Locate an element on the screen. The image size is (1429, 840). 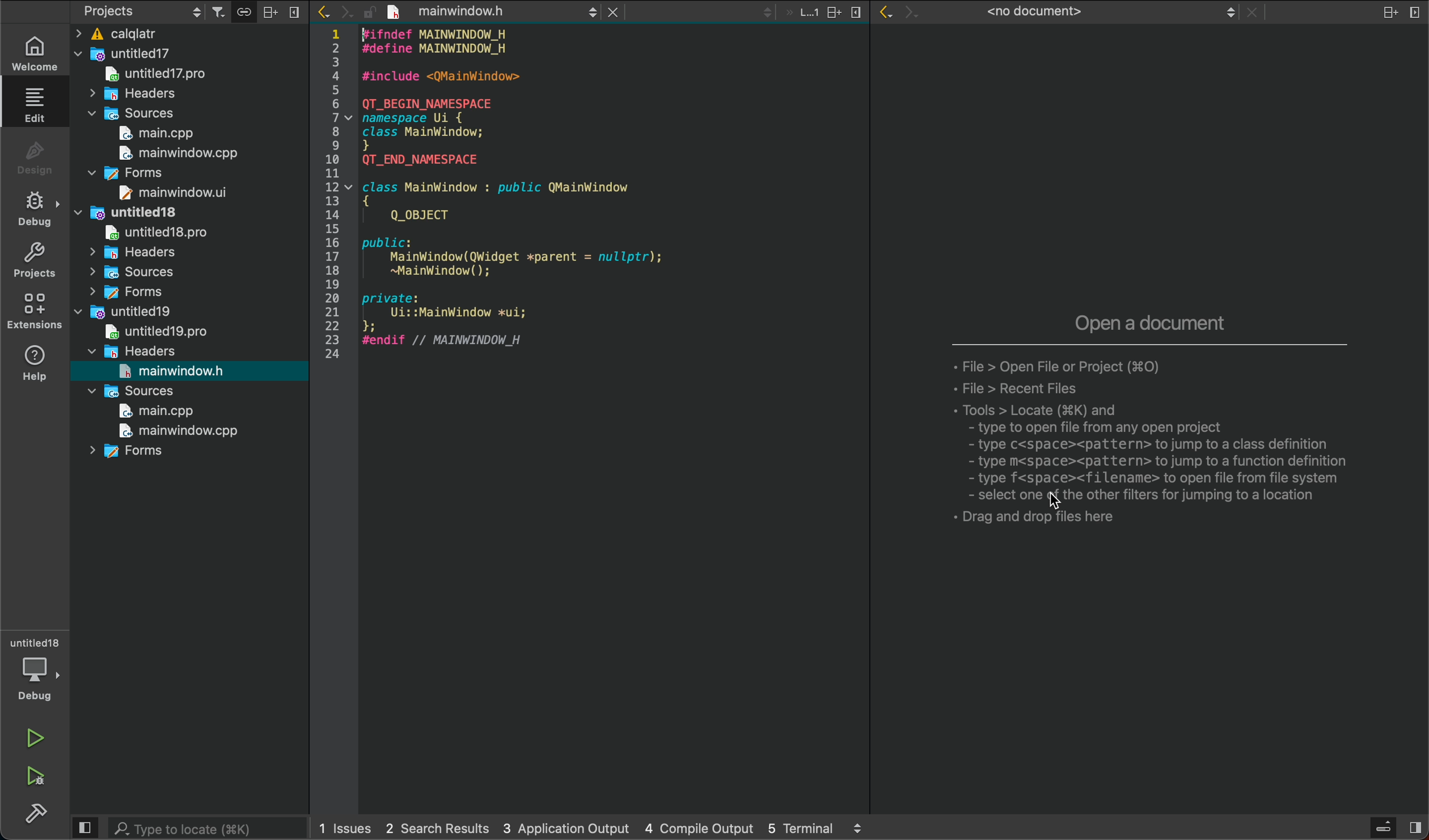
close slidebar is located at coordinates (85, 826).